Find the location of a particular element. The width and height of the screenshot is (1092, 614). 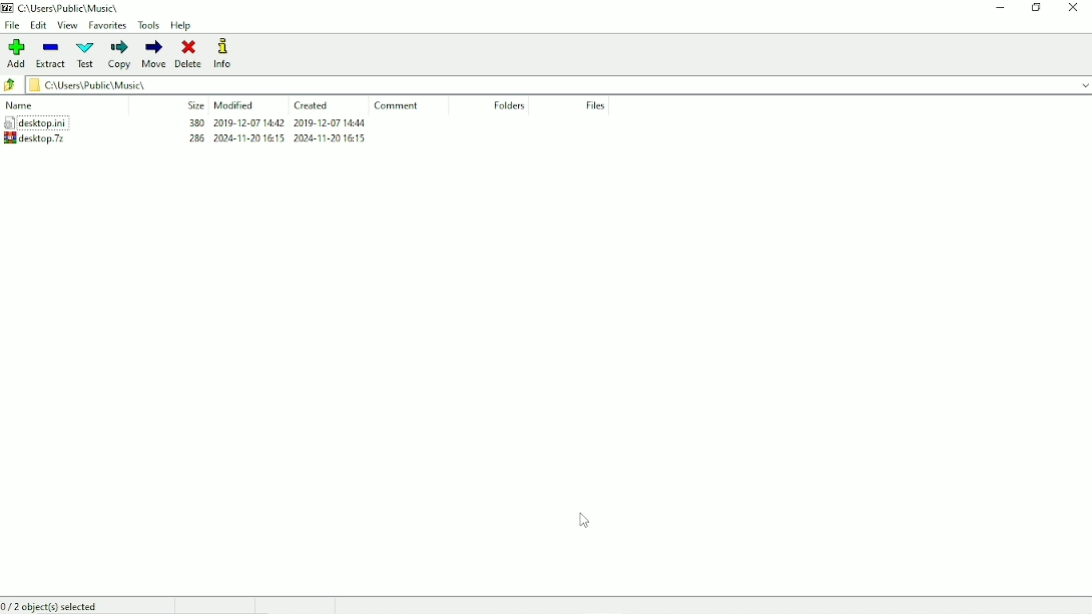

File location is located at coordinates (70, 8).